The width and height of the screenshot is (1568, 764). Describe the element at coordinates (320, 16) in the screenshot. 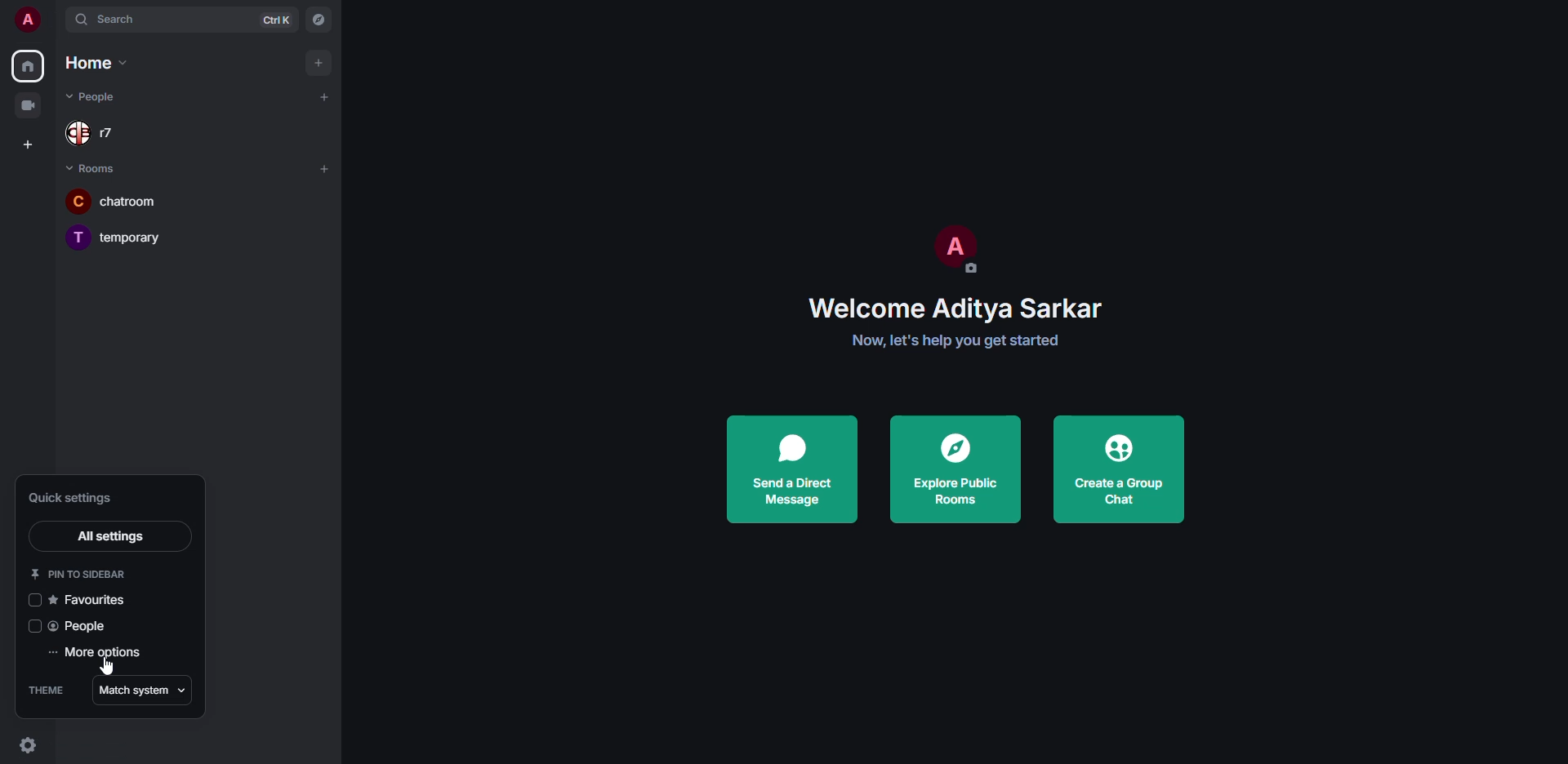

I see `navigator` at that location.